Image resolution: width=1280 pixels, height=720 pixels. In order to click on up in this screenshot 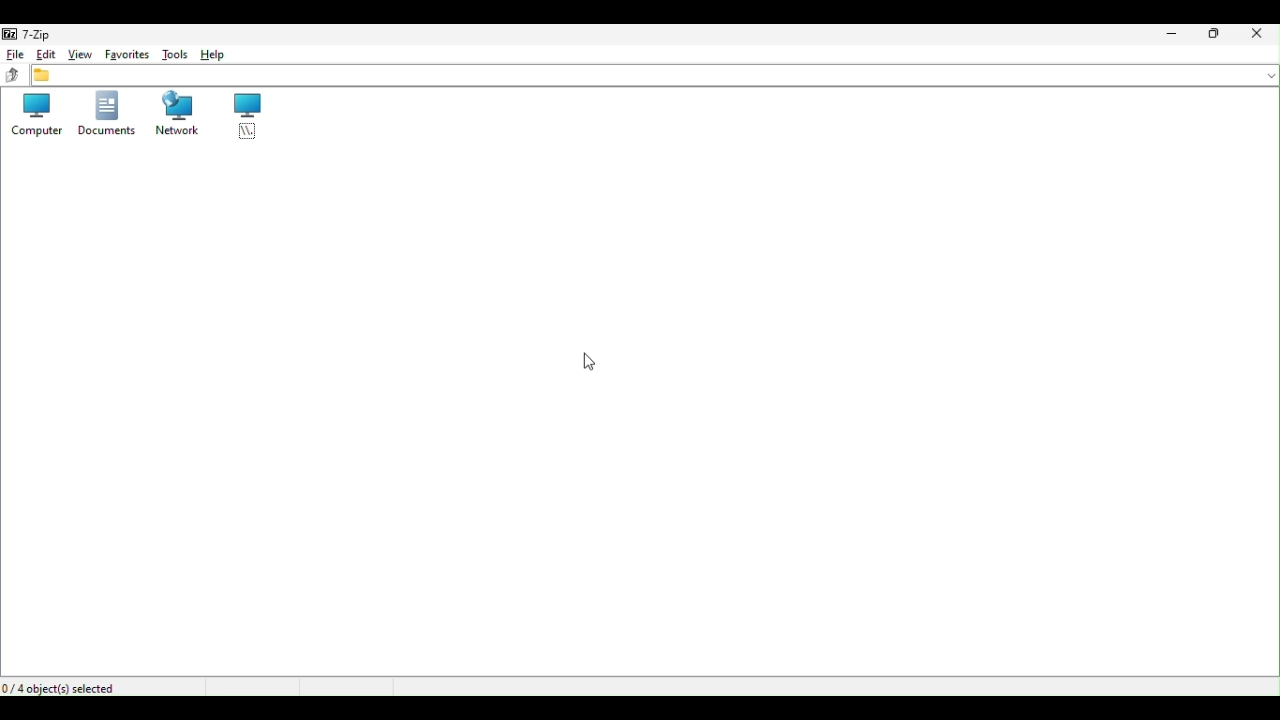, I will do `click(10, 75)`.